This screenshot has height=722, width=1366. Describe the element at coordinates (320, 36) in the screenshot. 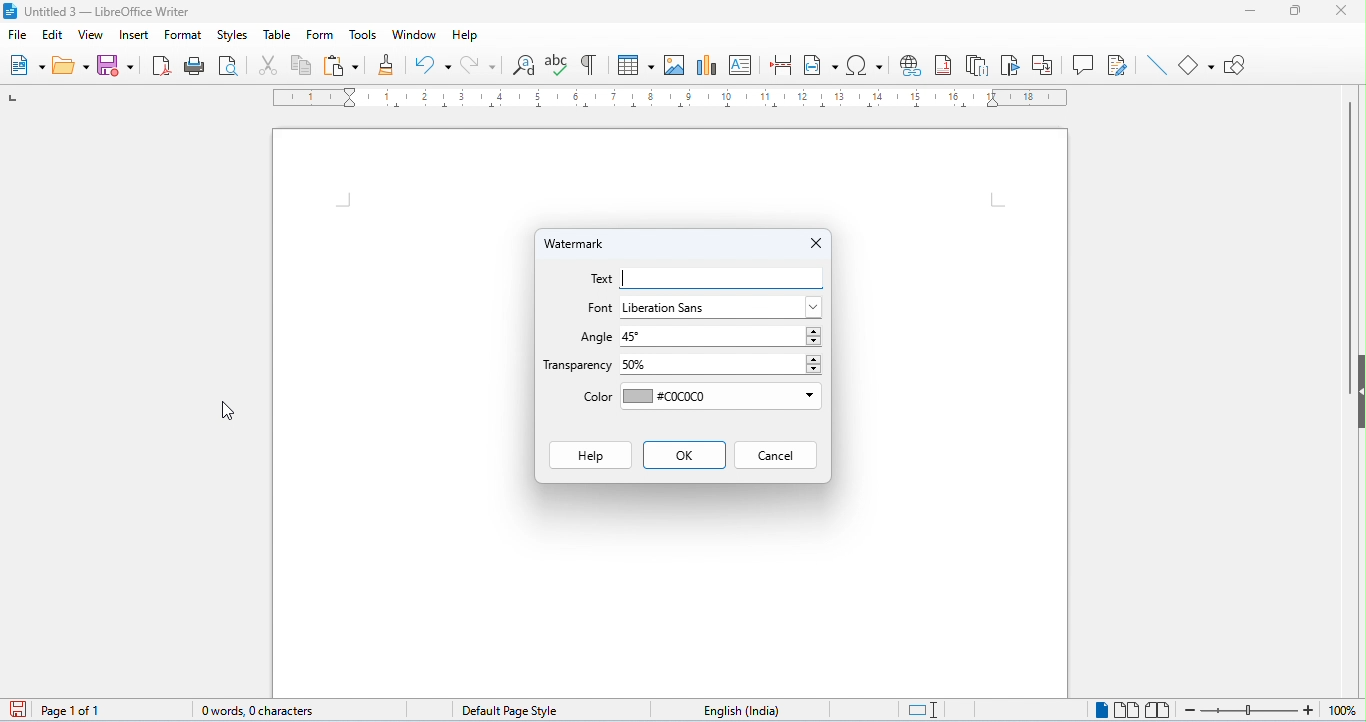

I see `form` at that location.